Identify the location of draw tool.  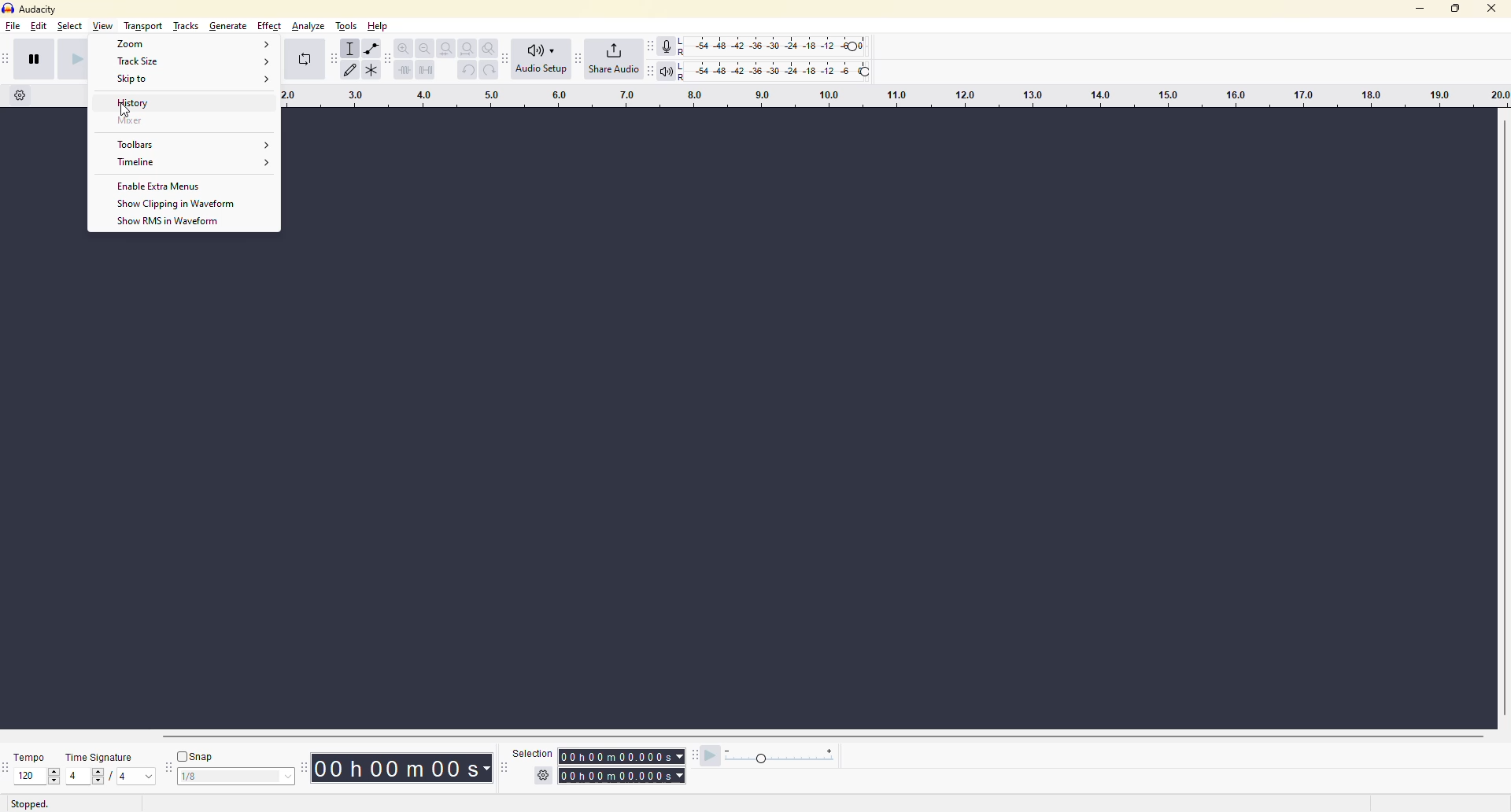
(354, 72).